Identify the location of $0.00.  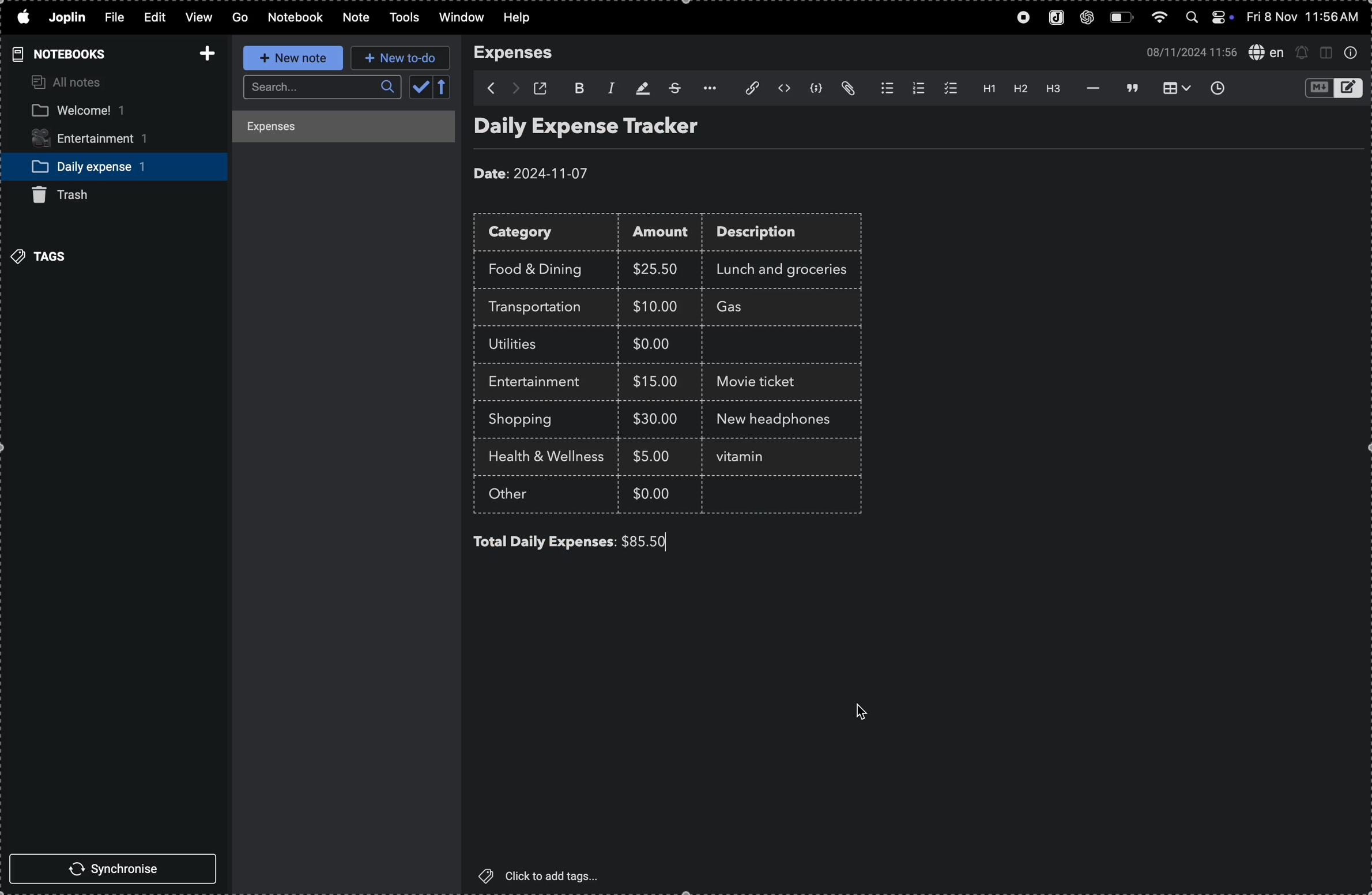
(654, 492).